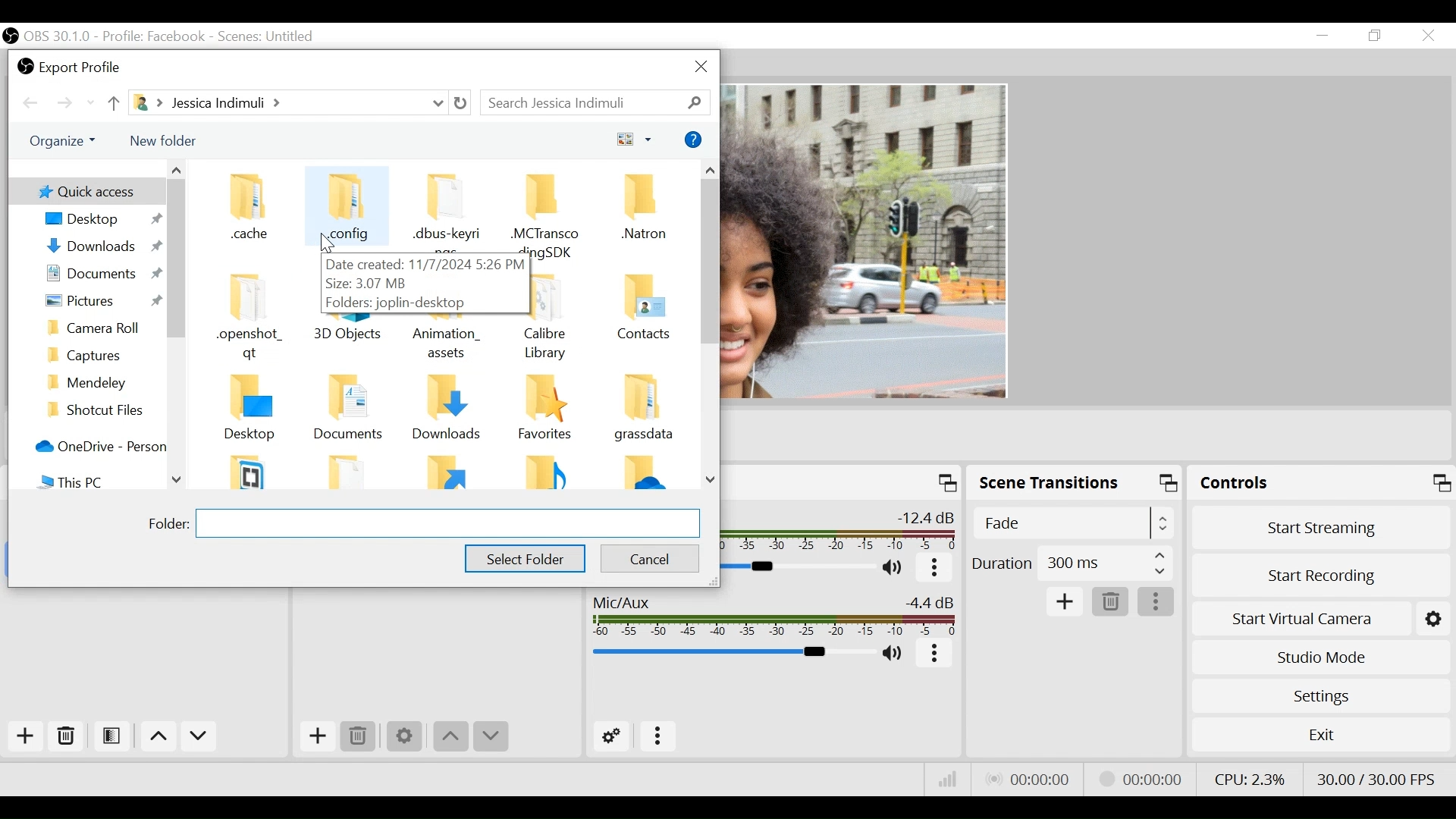  What do you see at coordinates (1322, 574) in the screenshot?
I see `Start Recording` at bounding box center [1322, 574].